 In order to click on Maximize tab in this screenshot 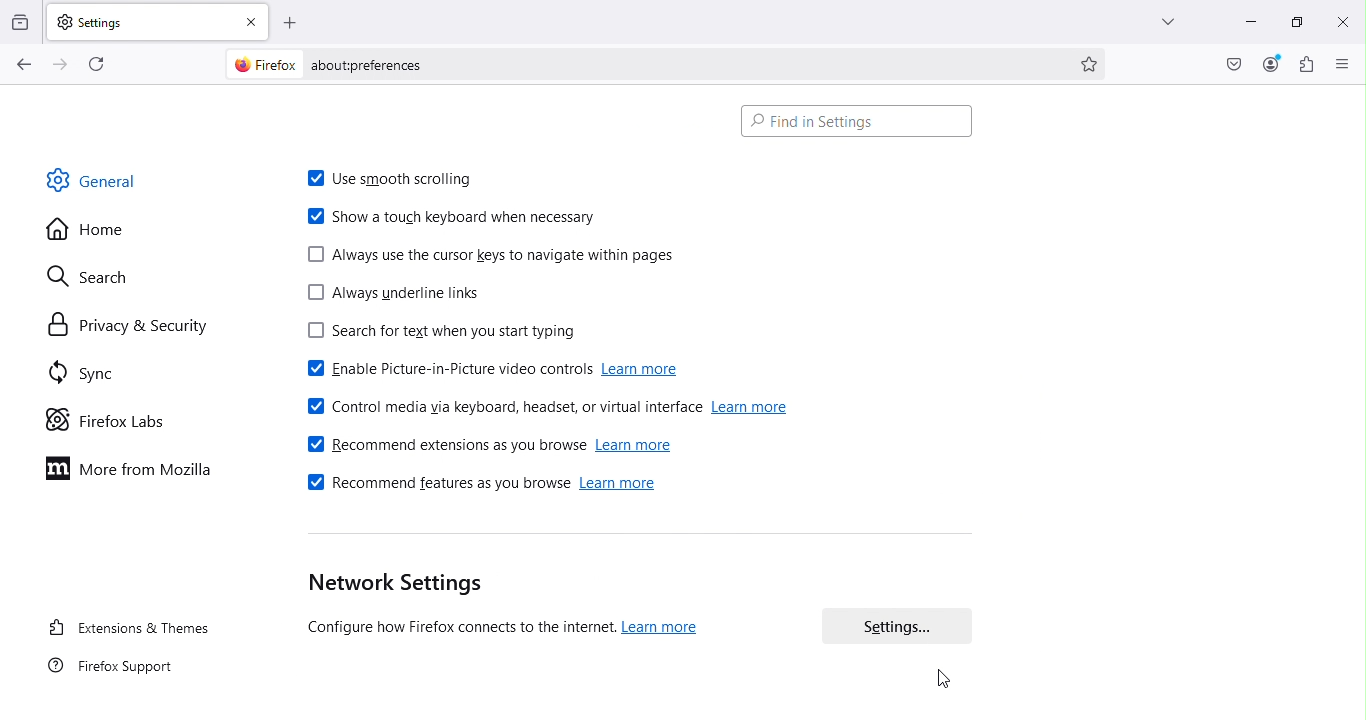, I will do `click(1293, 19)`.